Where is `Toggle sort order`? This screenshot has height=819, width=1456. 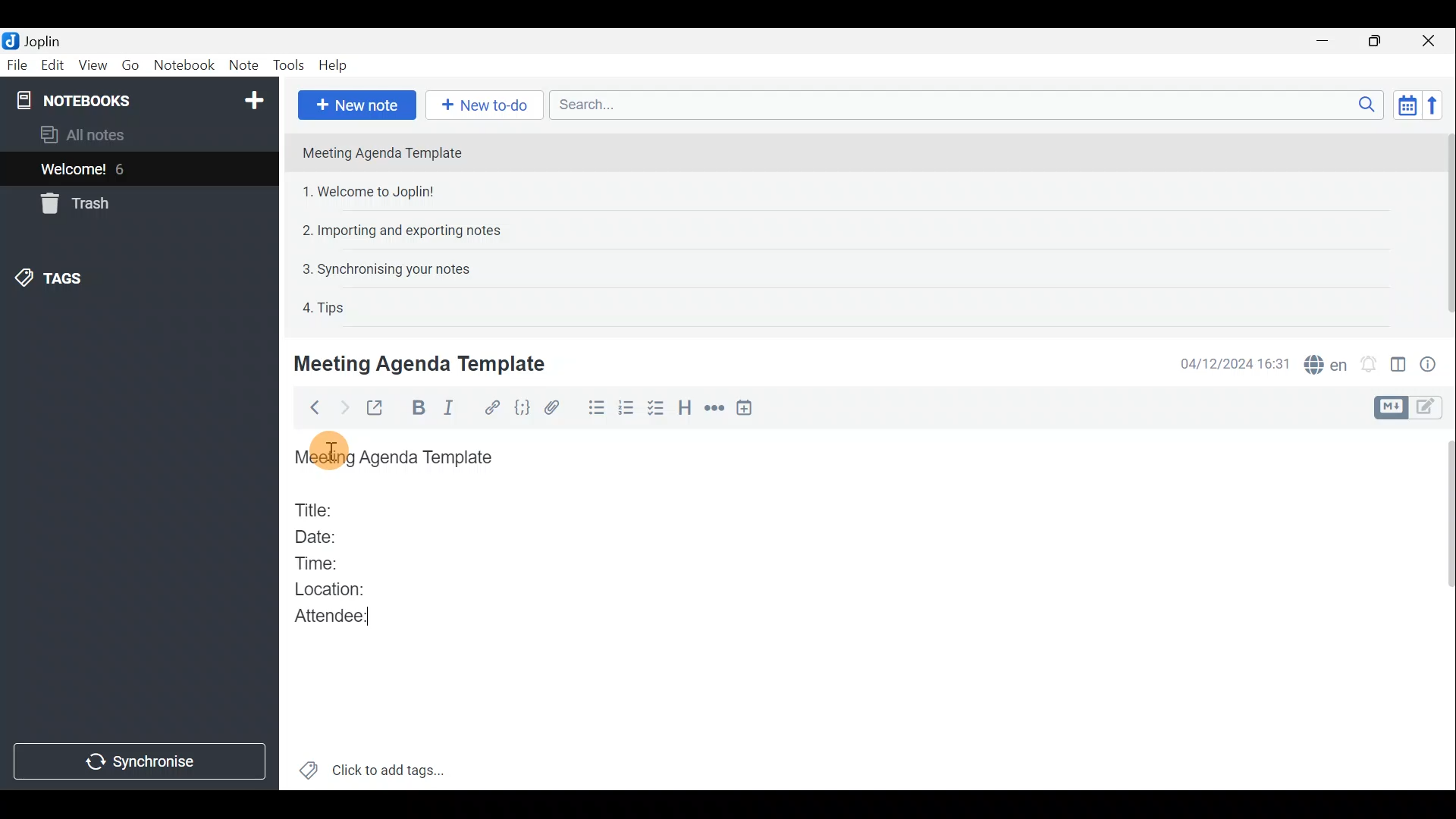 Toggle sort order is located at coordinates (1404, 103).